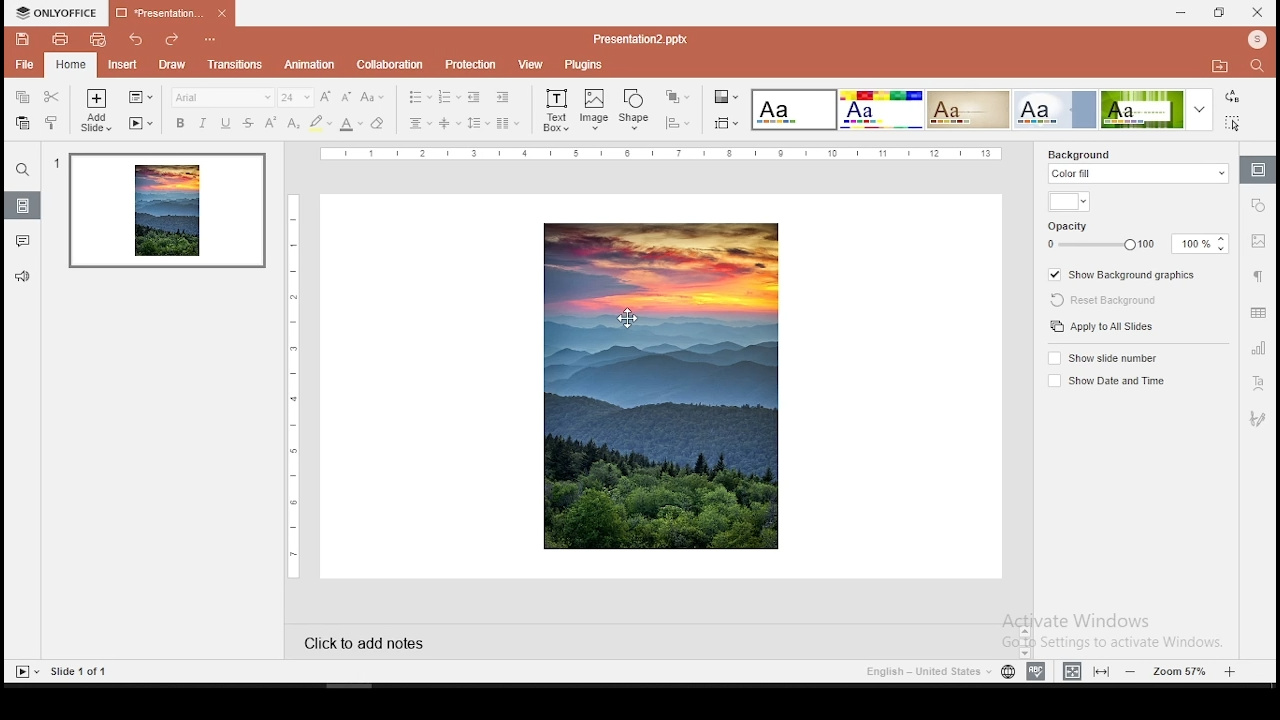  Describe the element at coordinates (378, 122) in the screenshot. I see `eraser tool` at that location.